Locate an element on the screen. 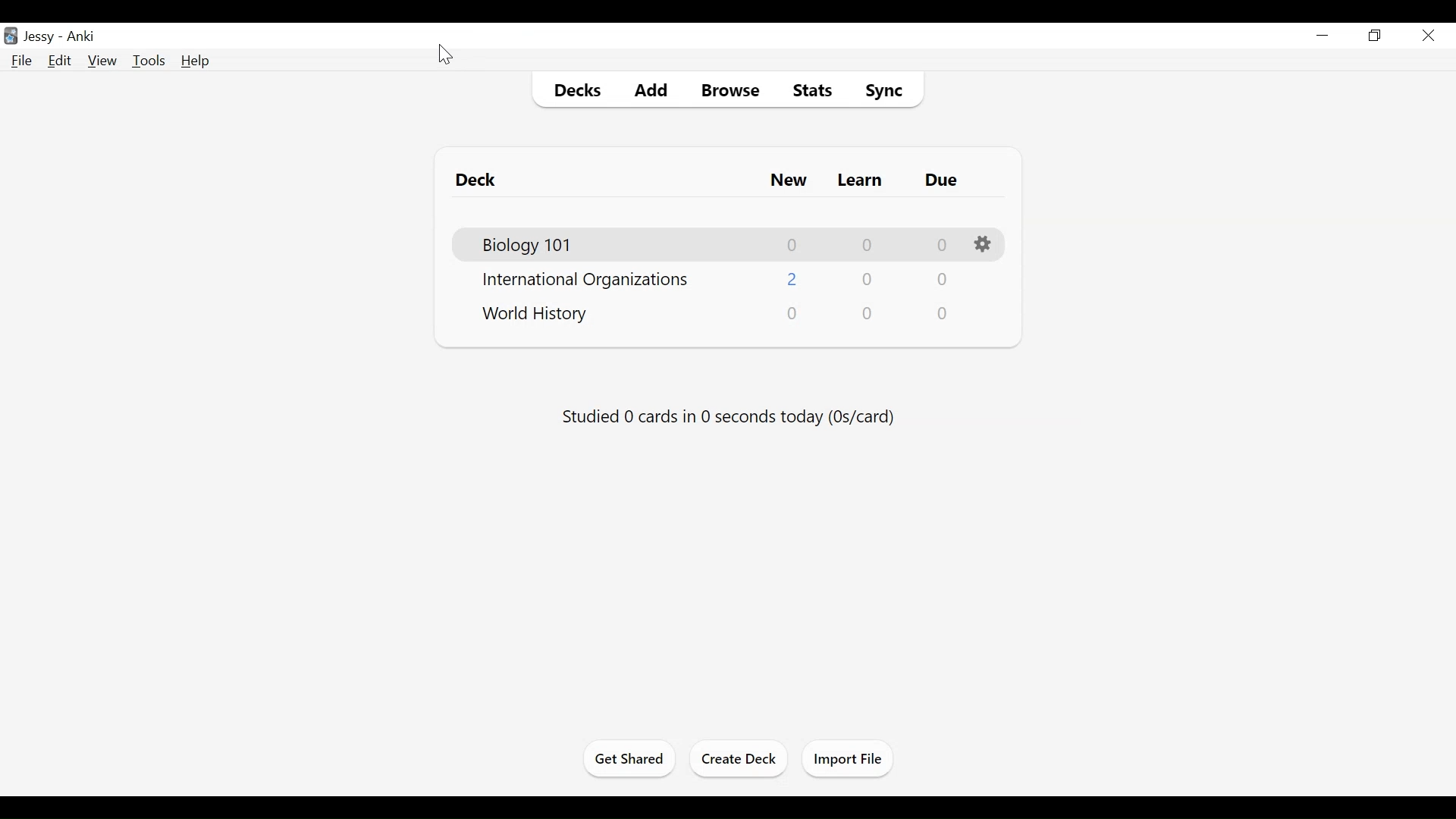 The image size is (1456, 819). Get Shared is located at coordinates (629, 761).